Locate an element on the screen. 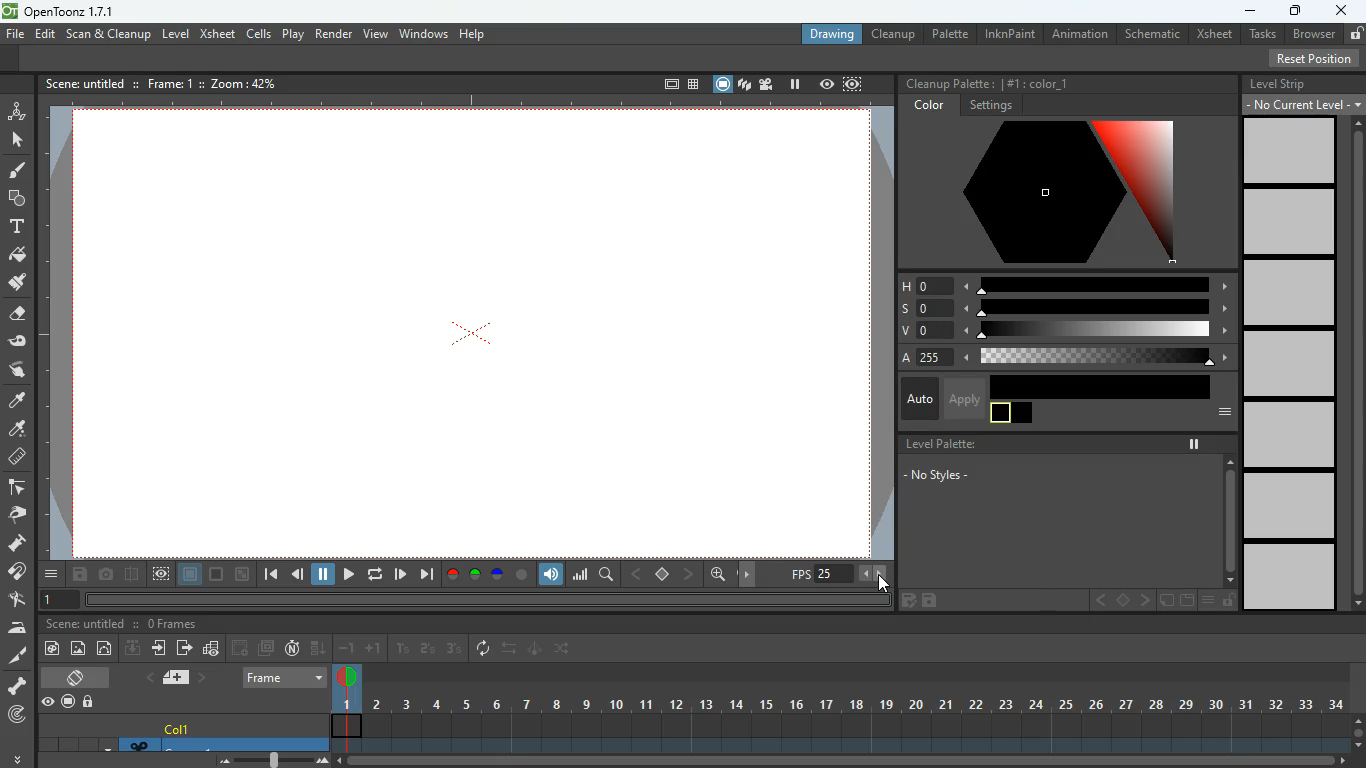  view is located at coordinates (161, 574).